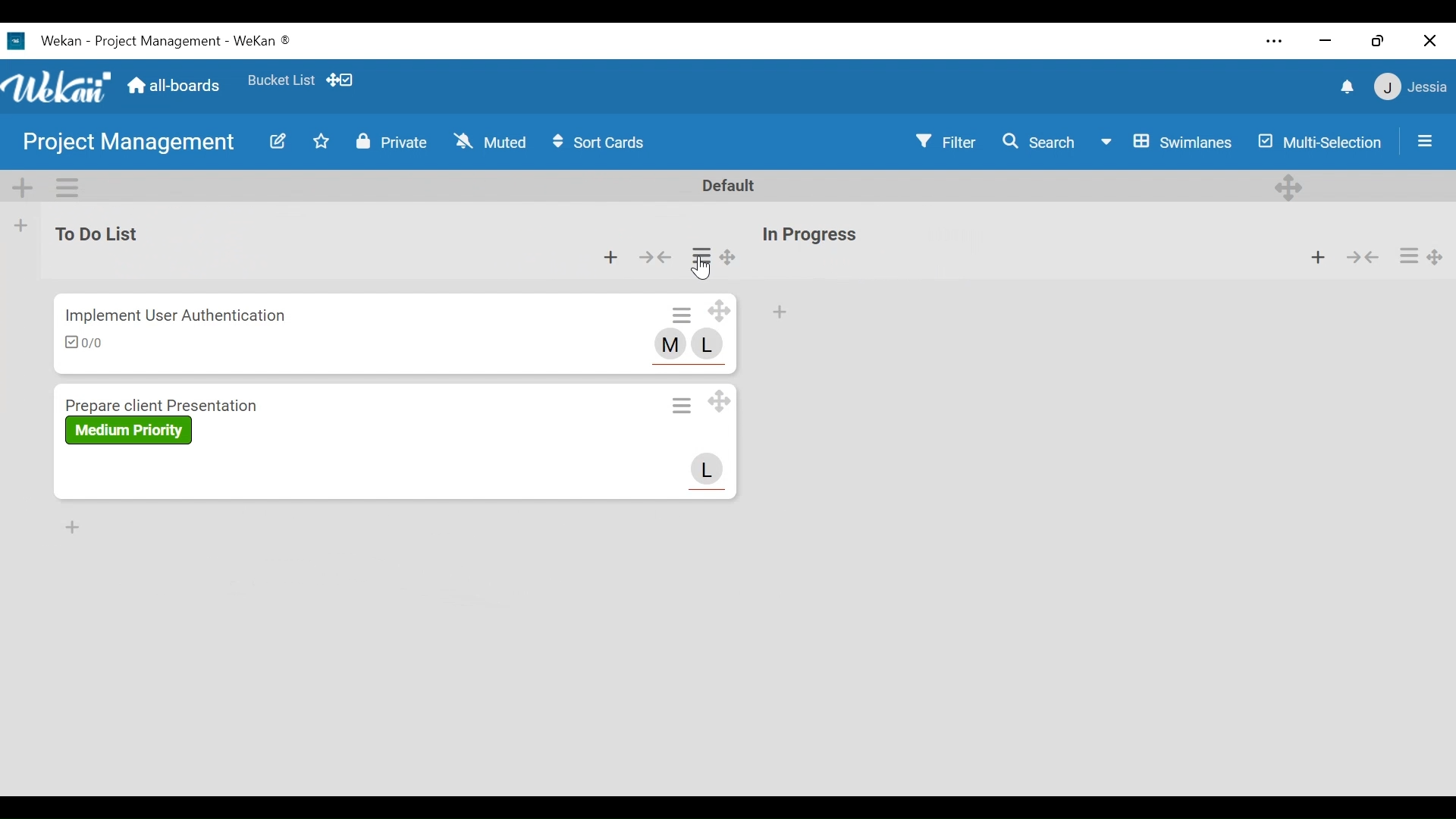 This screenshot has height=819, width=1456. I want to click on Add card to top of the list, so click(780, 312).